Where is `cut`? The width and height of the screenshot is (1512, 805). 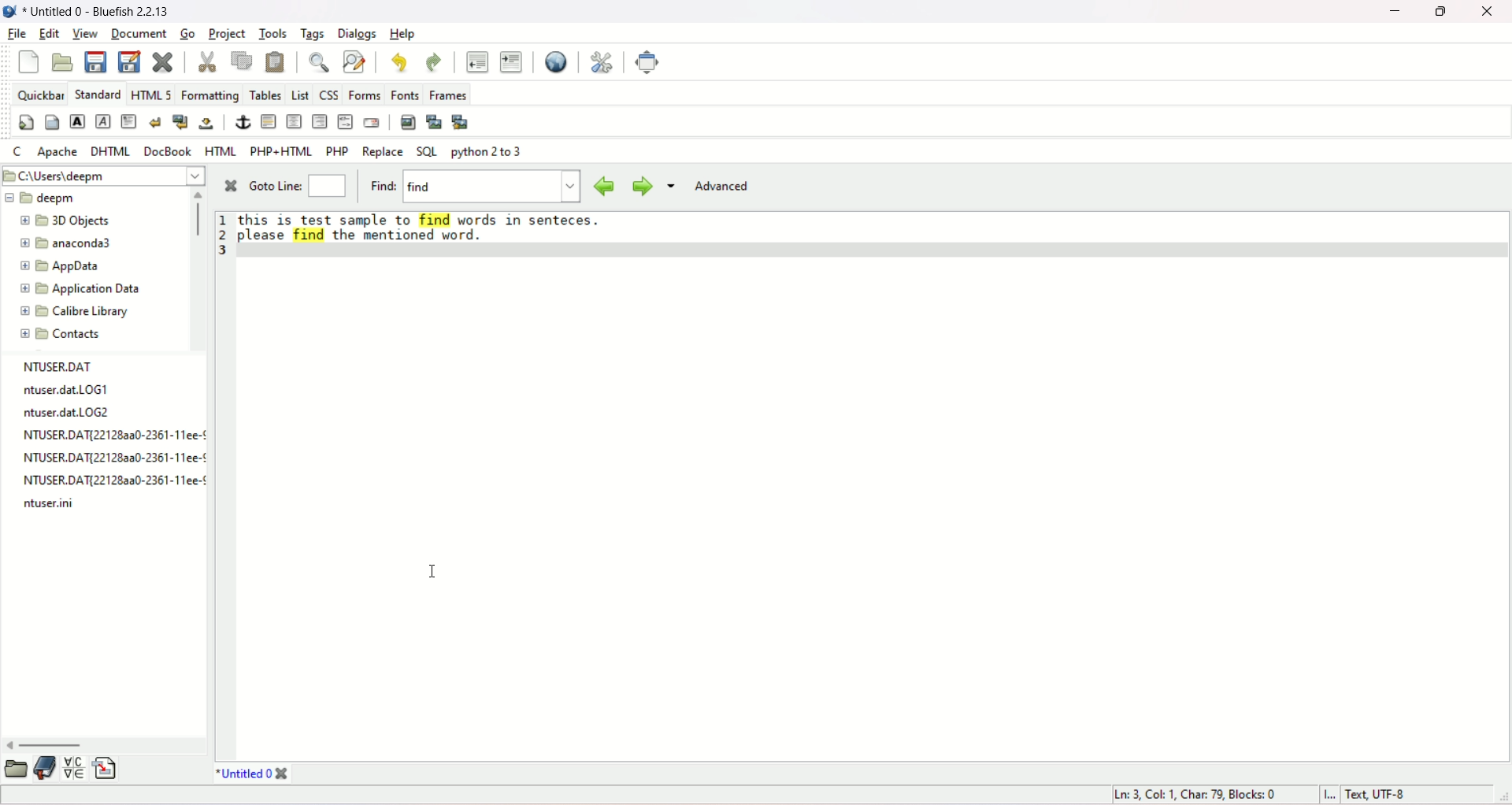 cut is located at coordinates (206, 61).